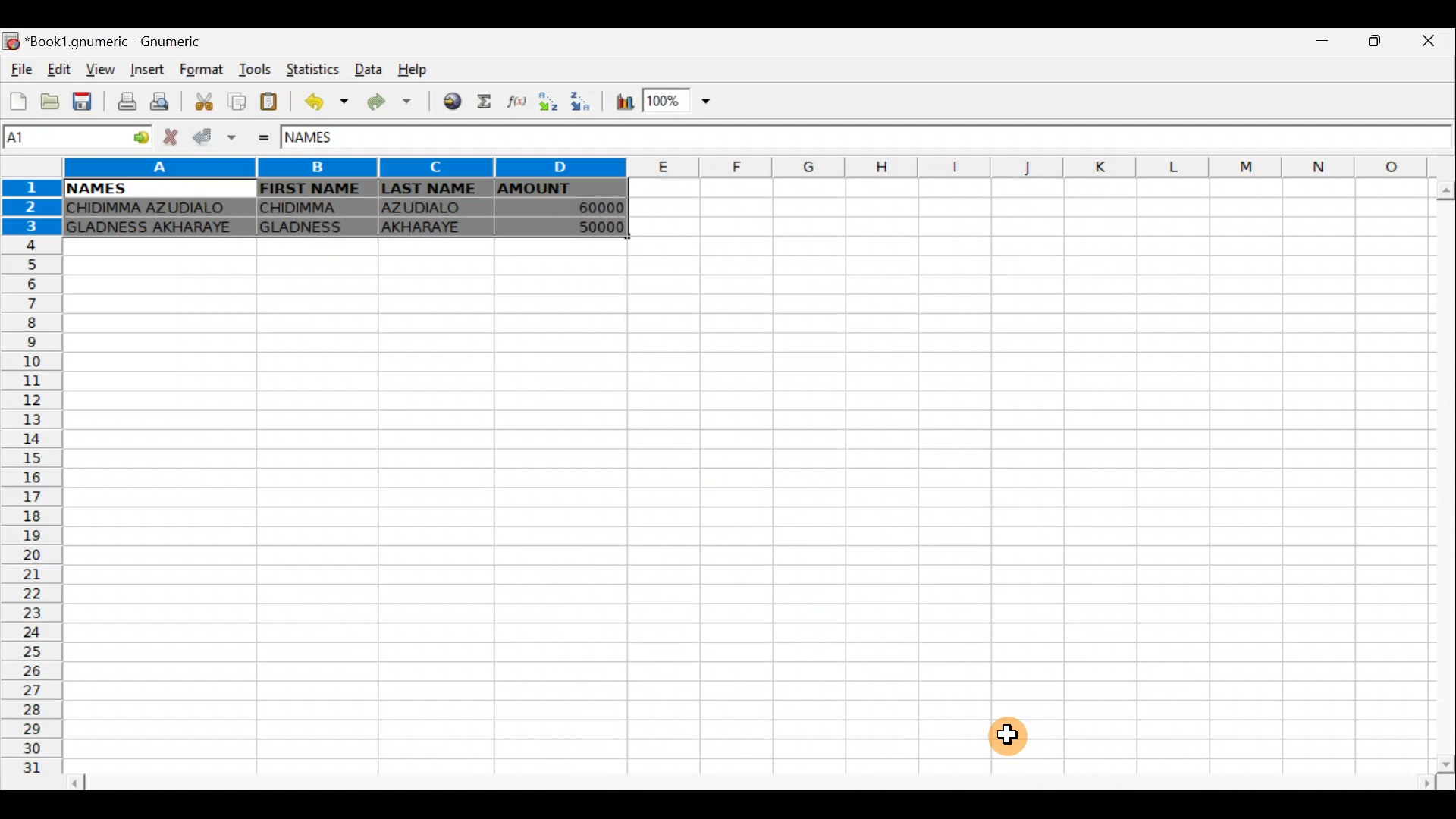 The height and width of the screenshot is (819, 1456). I want to click on View, so click(96, 70).